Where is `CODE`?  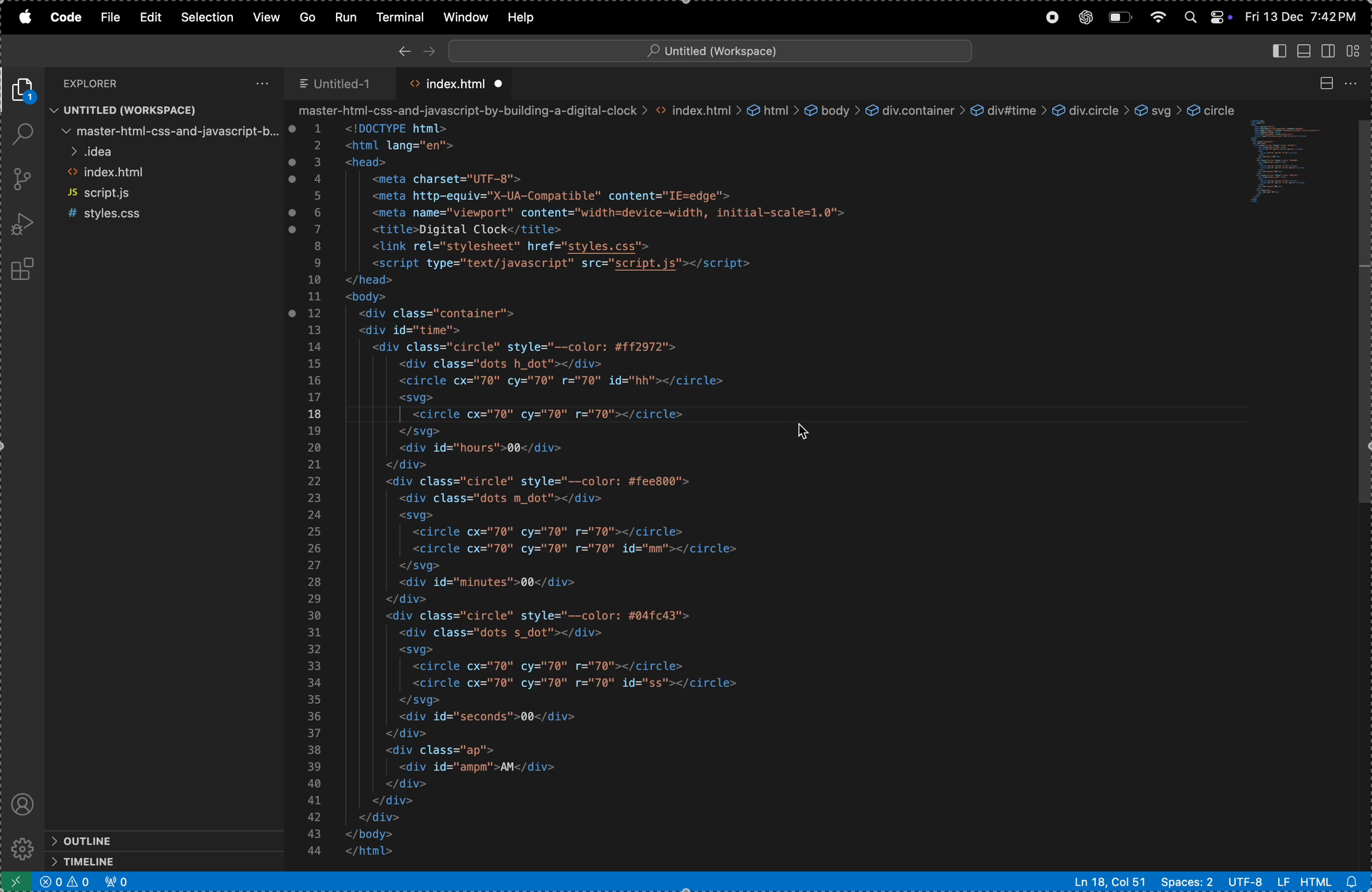
CODE is located at coordinates (66, 18).